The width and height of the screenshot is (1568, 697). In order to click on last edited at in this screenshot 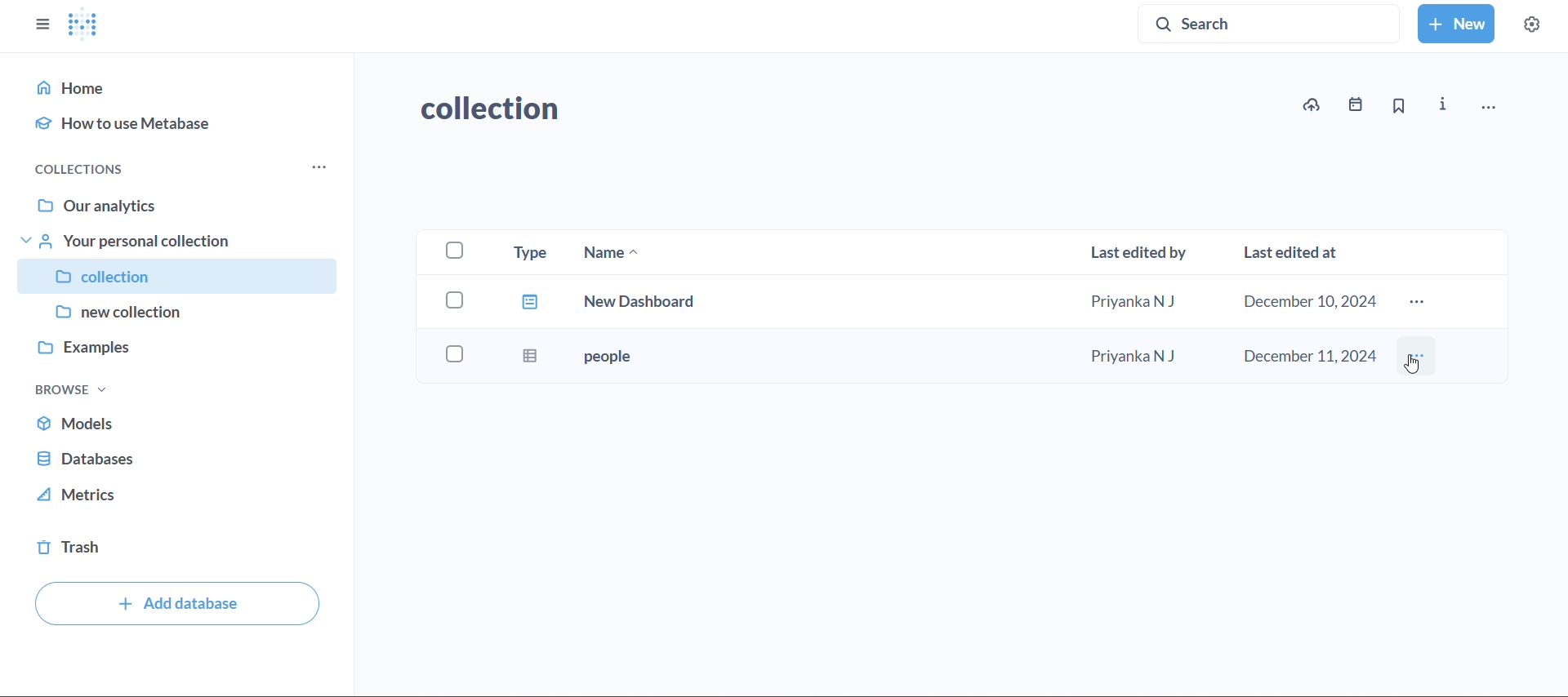, I will do `click(1294, 255)`.